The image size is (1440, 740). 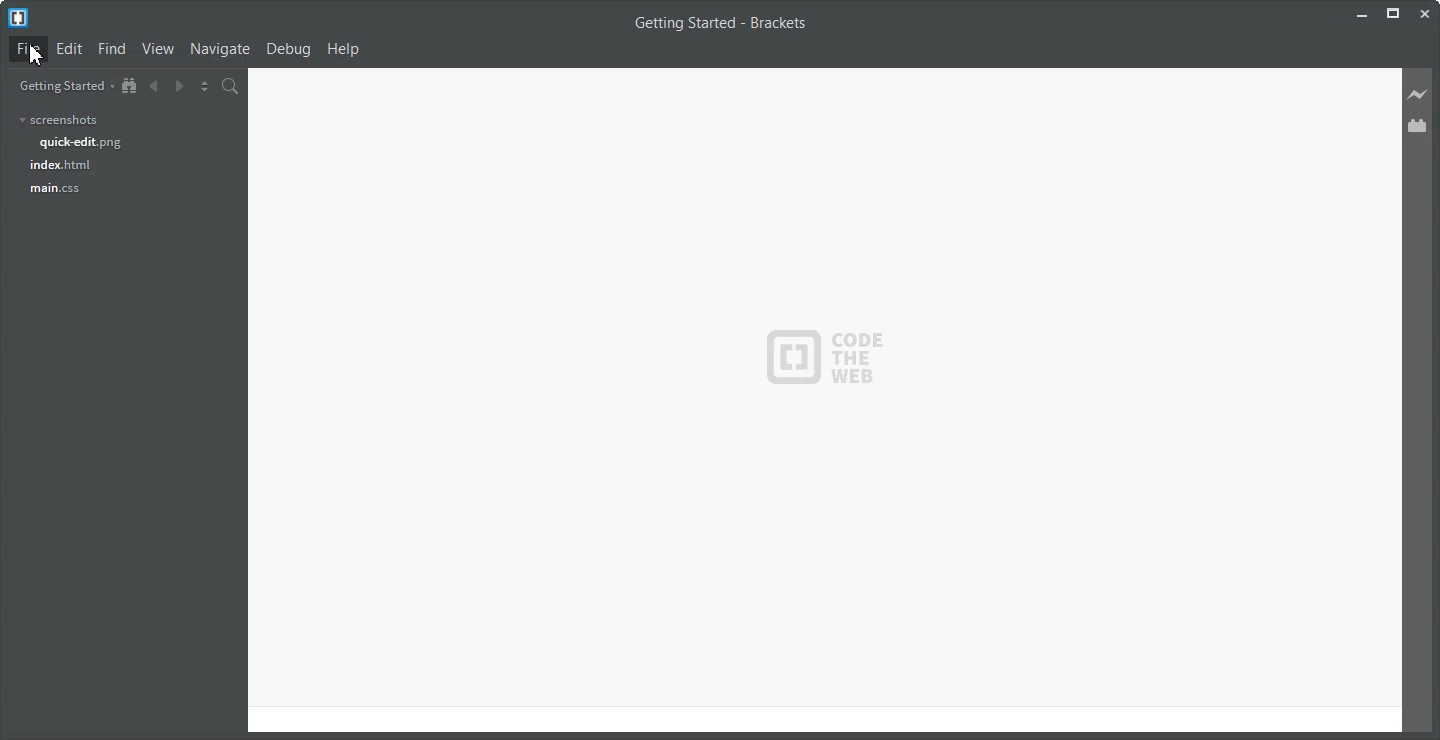 What do you see at coordinates (1419, 125) in the screenshot?
I see `Extension Manager` at bounding box center [1419, 125].